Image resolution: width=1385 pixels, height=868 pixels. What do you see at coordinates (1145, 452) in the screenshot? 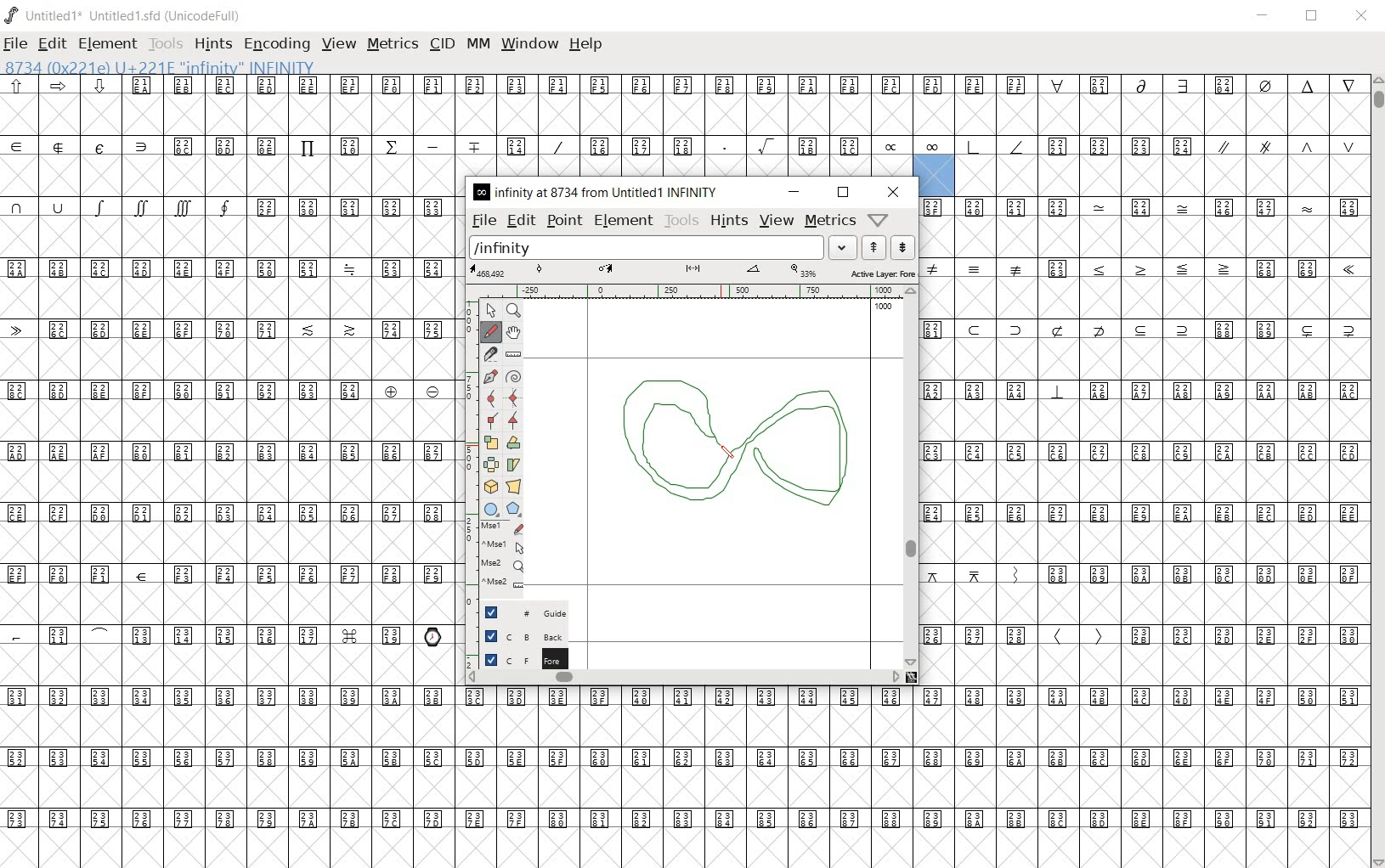
I see `Unicode code points` at bounding box center [1145, 452].